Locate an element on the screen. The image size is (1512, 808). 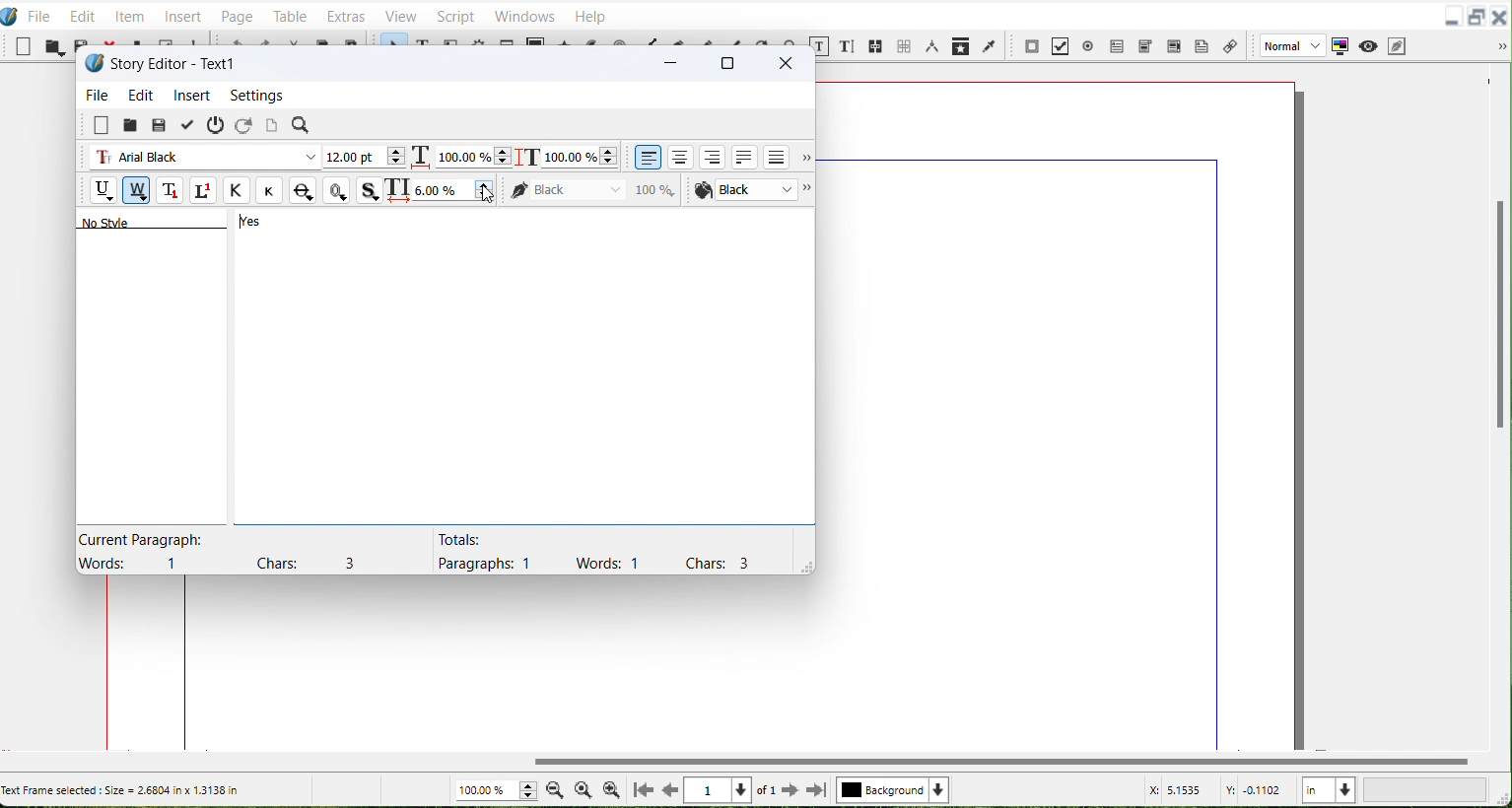
Strike Out is located at coordinates (303, 189).